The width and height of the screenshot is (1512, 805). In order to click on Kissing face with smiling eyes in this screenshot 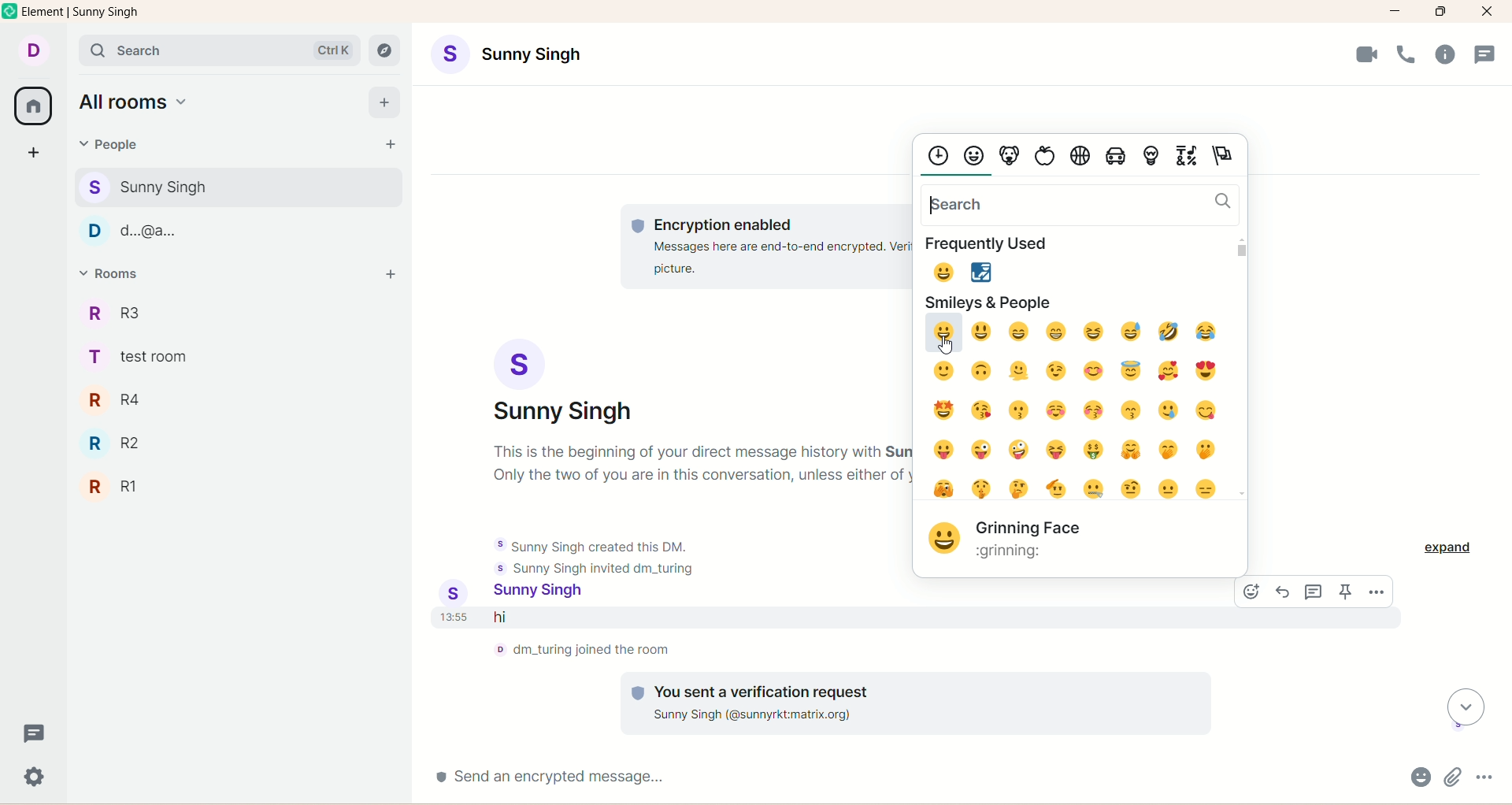, I will do `click(1130, 410)`.